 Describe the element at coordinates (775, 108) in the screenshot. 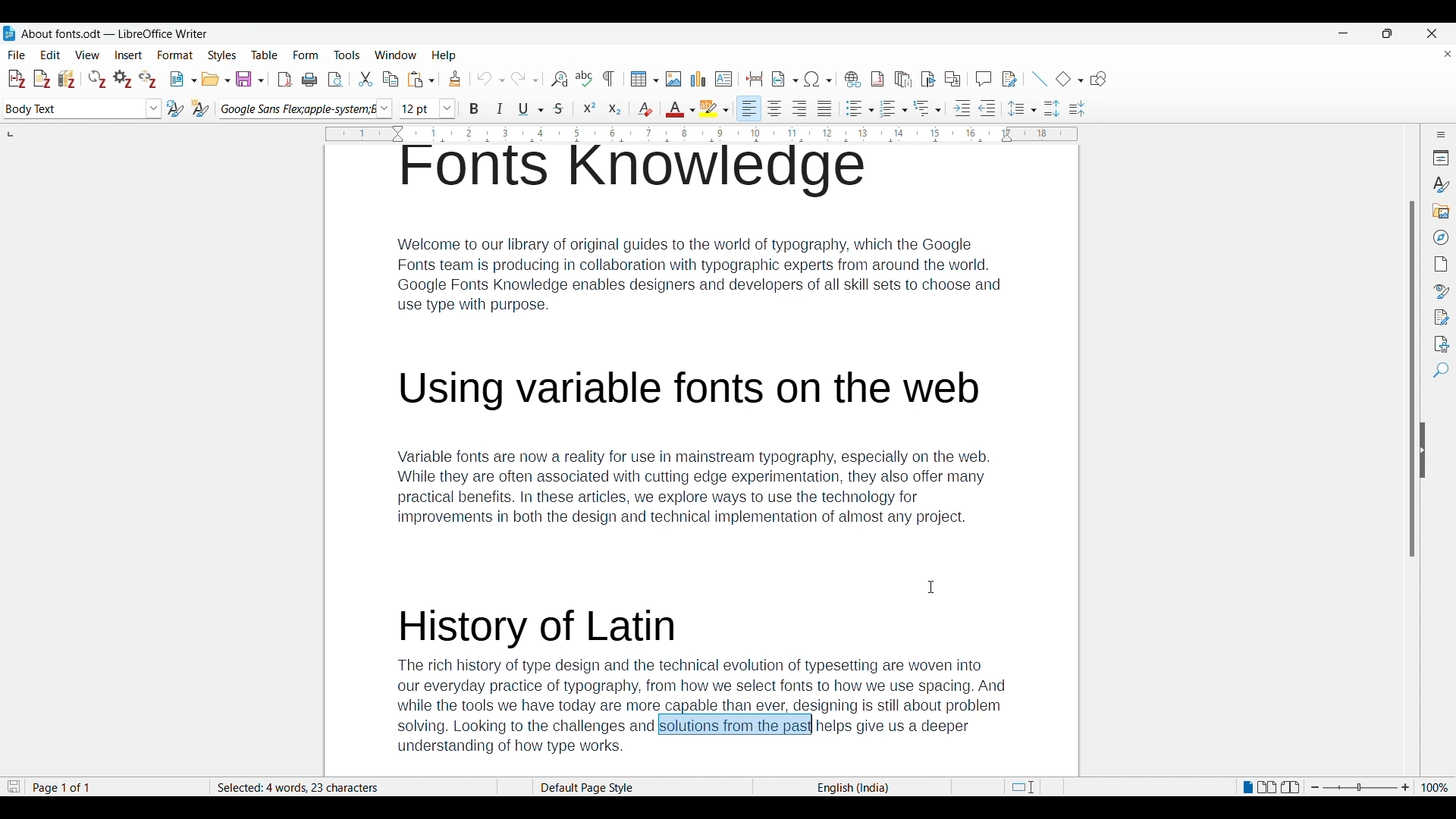

I see `Align center` at that location.